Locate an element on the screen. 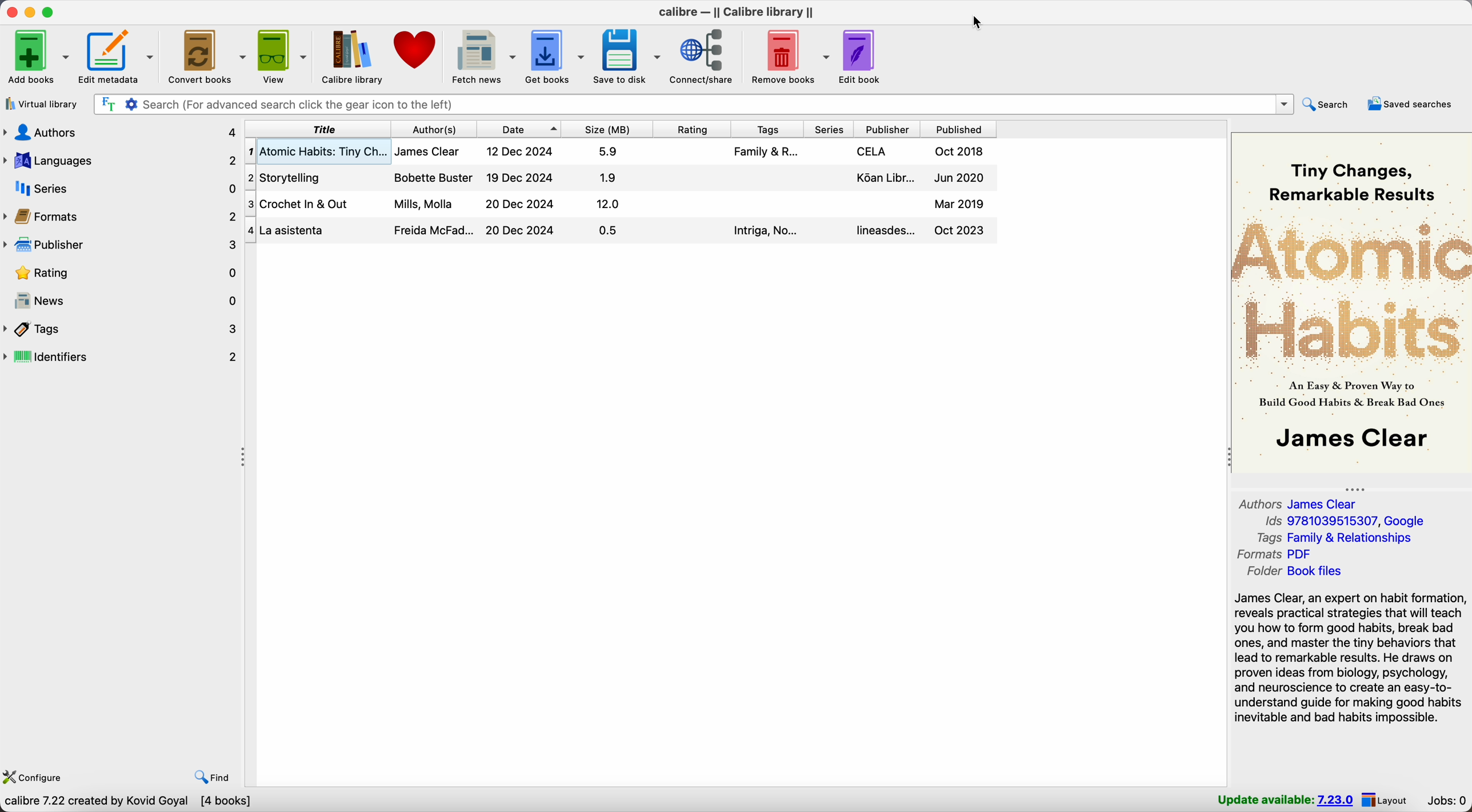 The height and width of the screenshot is (812, 1472). donate is located at coordinates (418, 49).